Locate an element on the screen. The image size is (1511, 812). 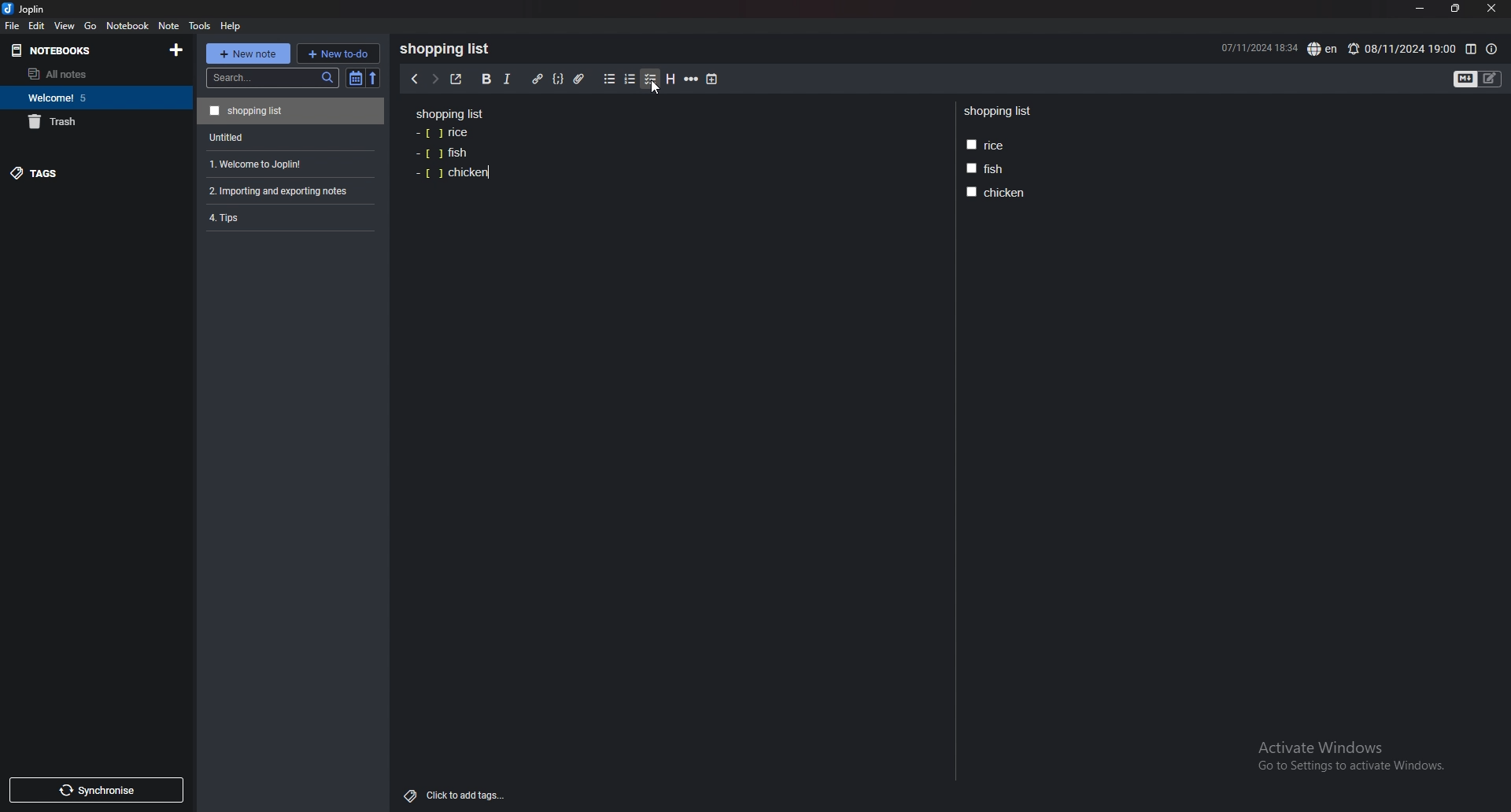
notebooks is located at coordinates (72, 51).